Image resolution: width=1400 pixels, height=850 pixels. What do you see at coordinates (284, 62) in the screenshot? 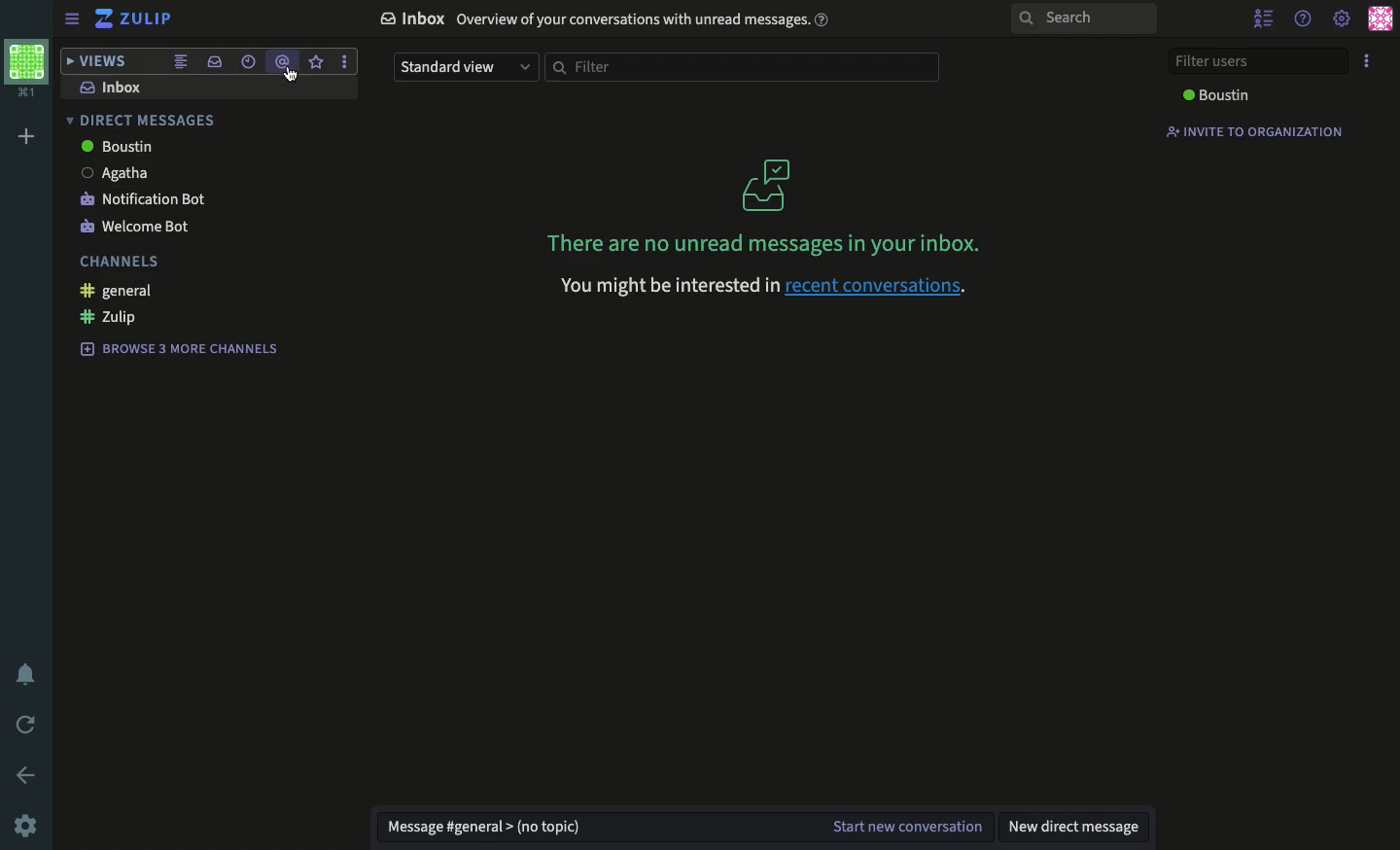
I see `mention` at bounding box center [284, 62].